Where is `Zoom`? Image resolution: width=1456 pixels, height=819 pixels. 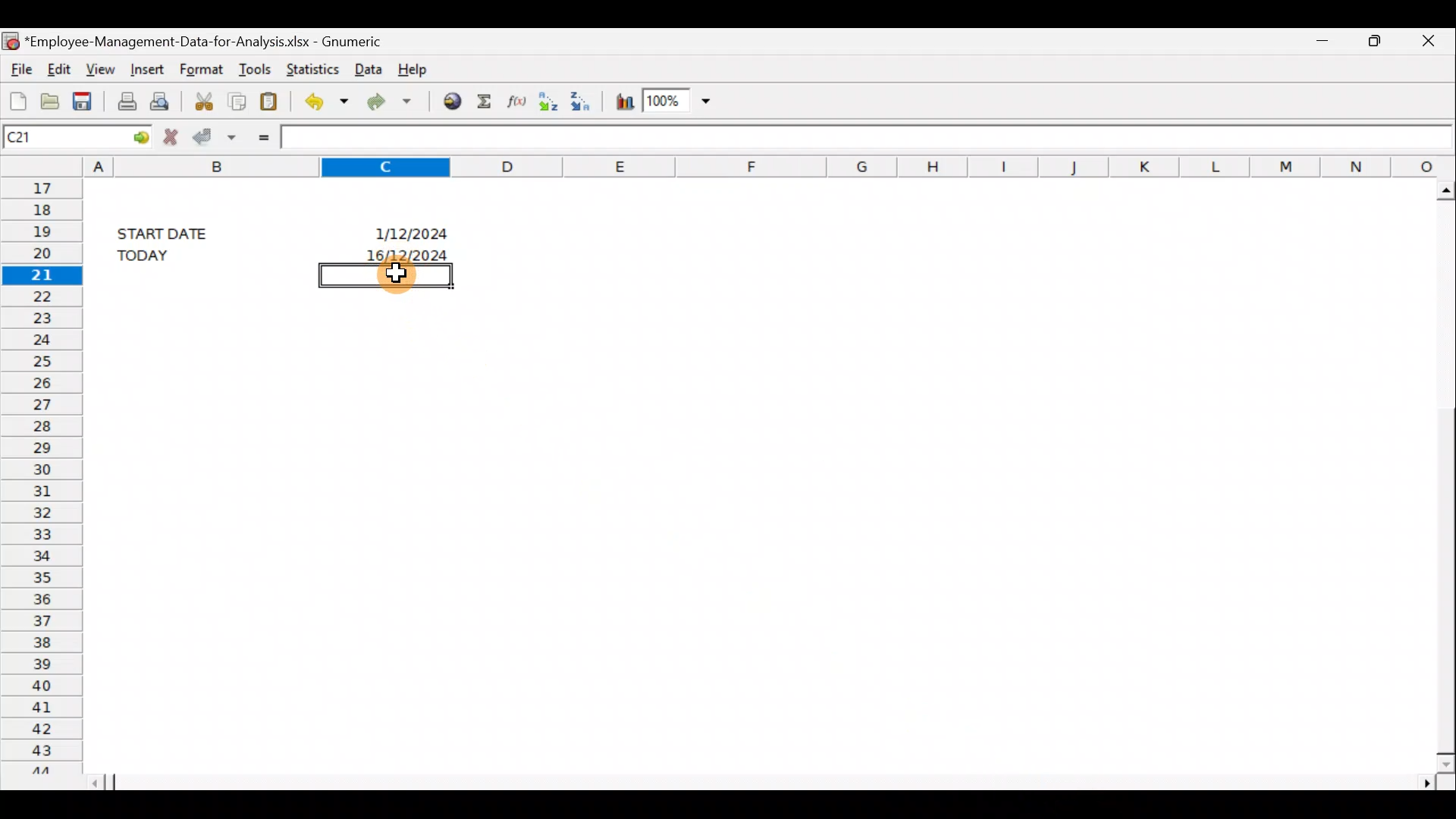
Zoom is located at coordinates (679, 102).